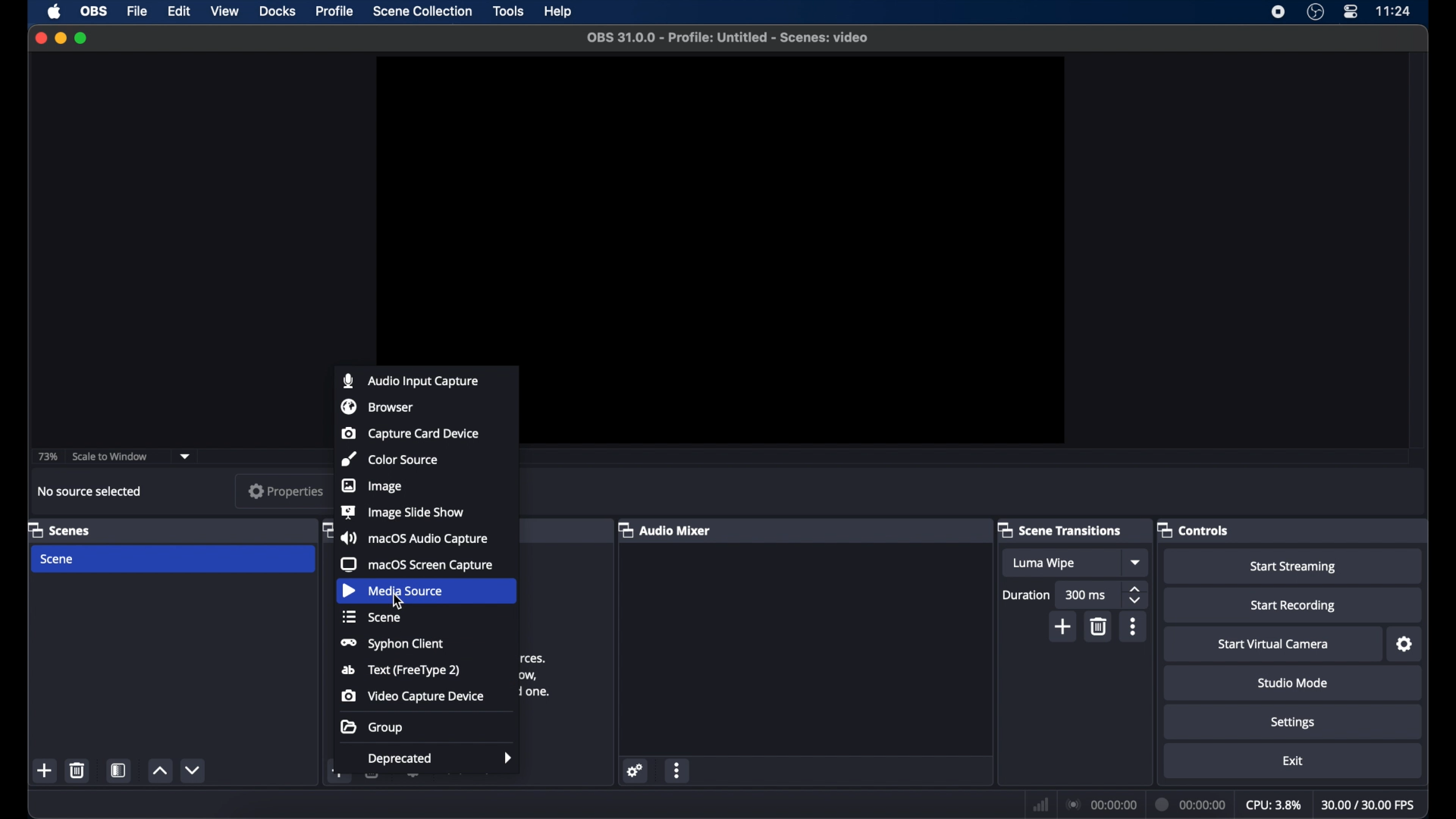 This screenshot has height=819, width=1456. I want to click on more options, so click(1134, 626).